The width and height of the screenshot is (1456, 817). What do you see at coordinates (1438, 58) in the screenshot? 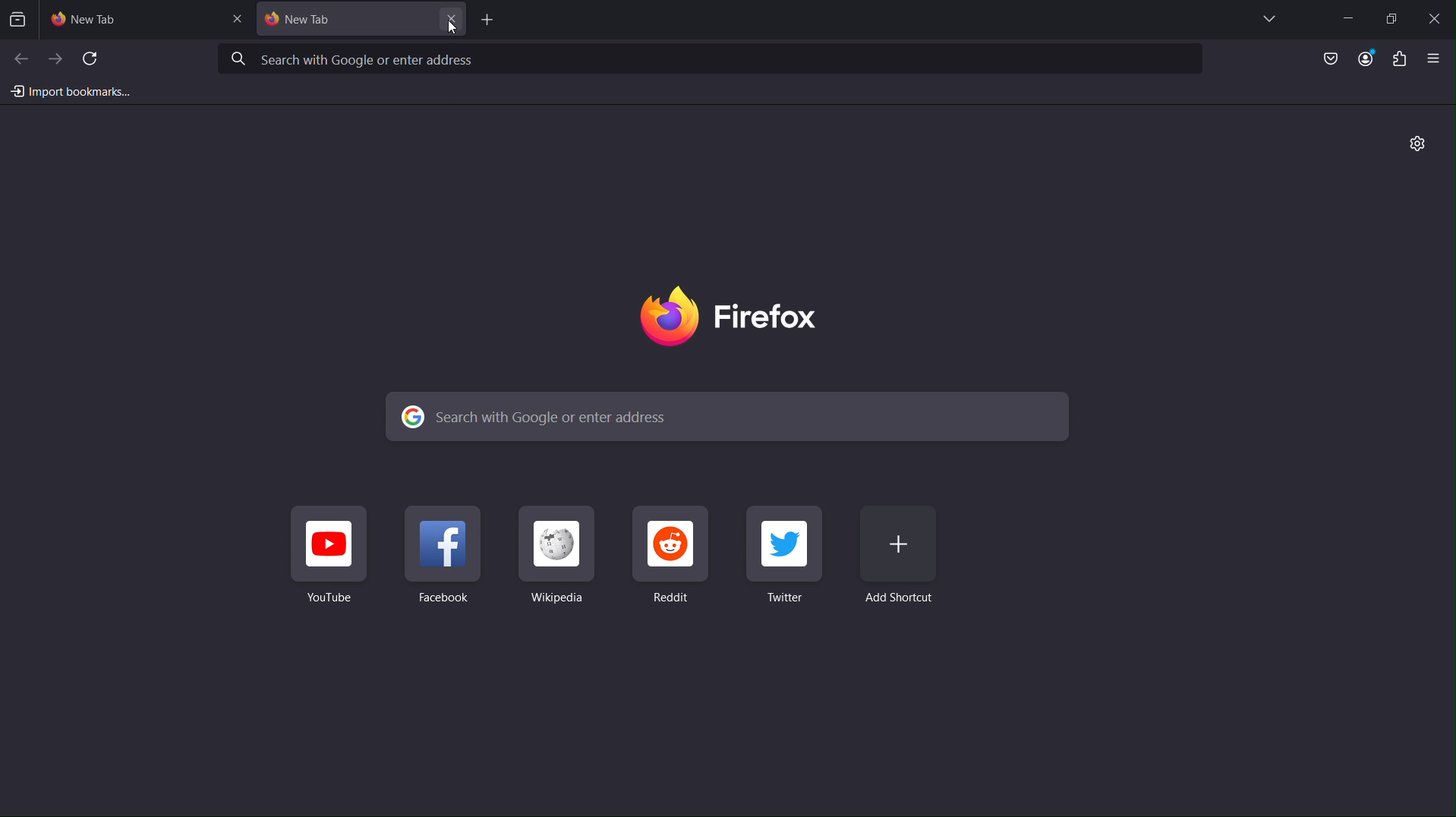
I see `Show Application Menu` at bounding box center [1438, 58].